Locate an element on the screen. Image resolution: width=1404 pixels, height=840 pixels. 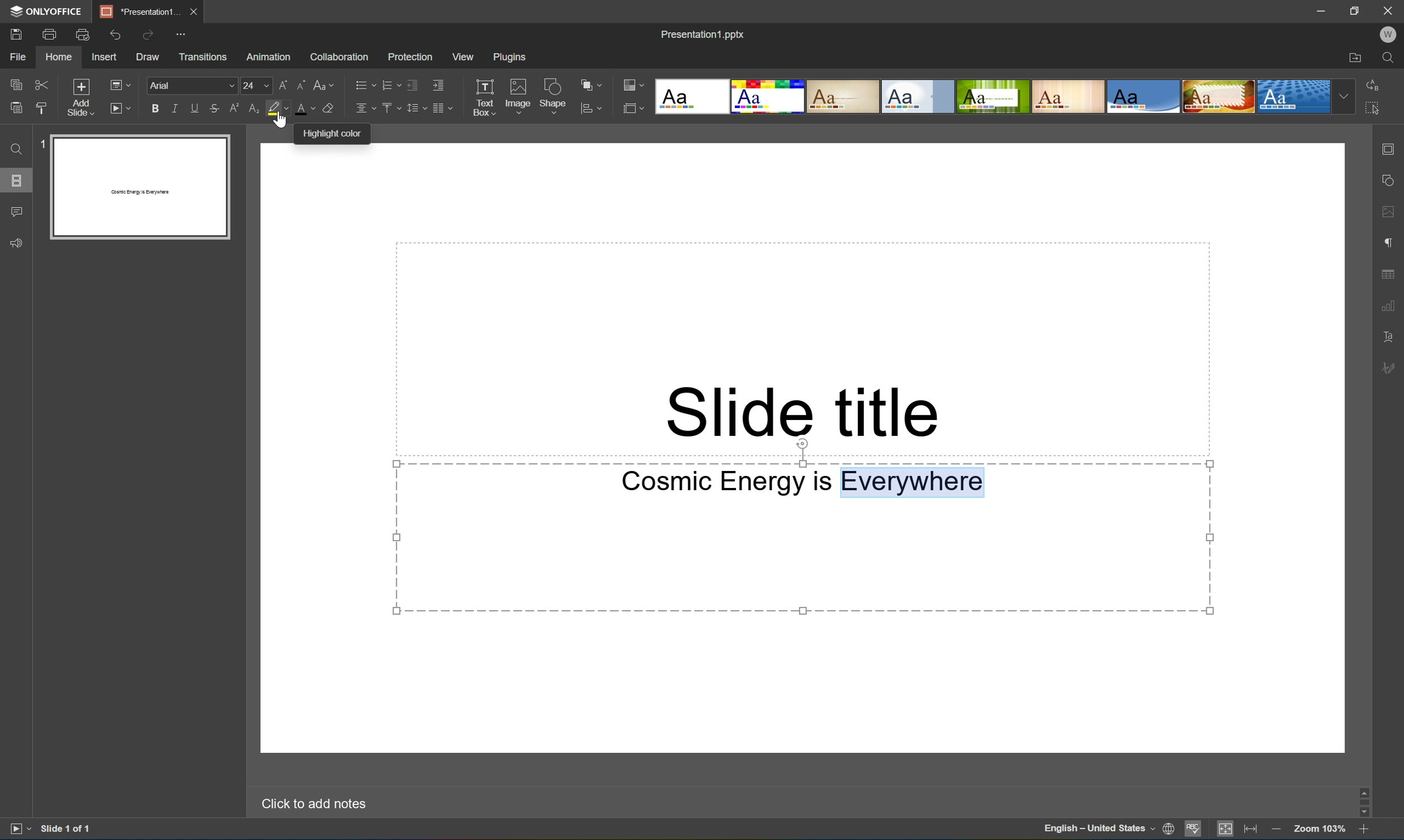
Copy is located at coordinates (16, 84).